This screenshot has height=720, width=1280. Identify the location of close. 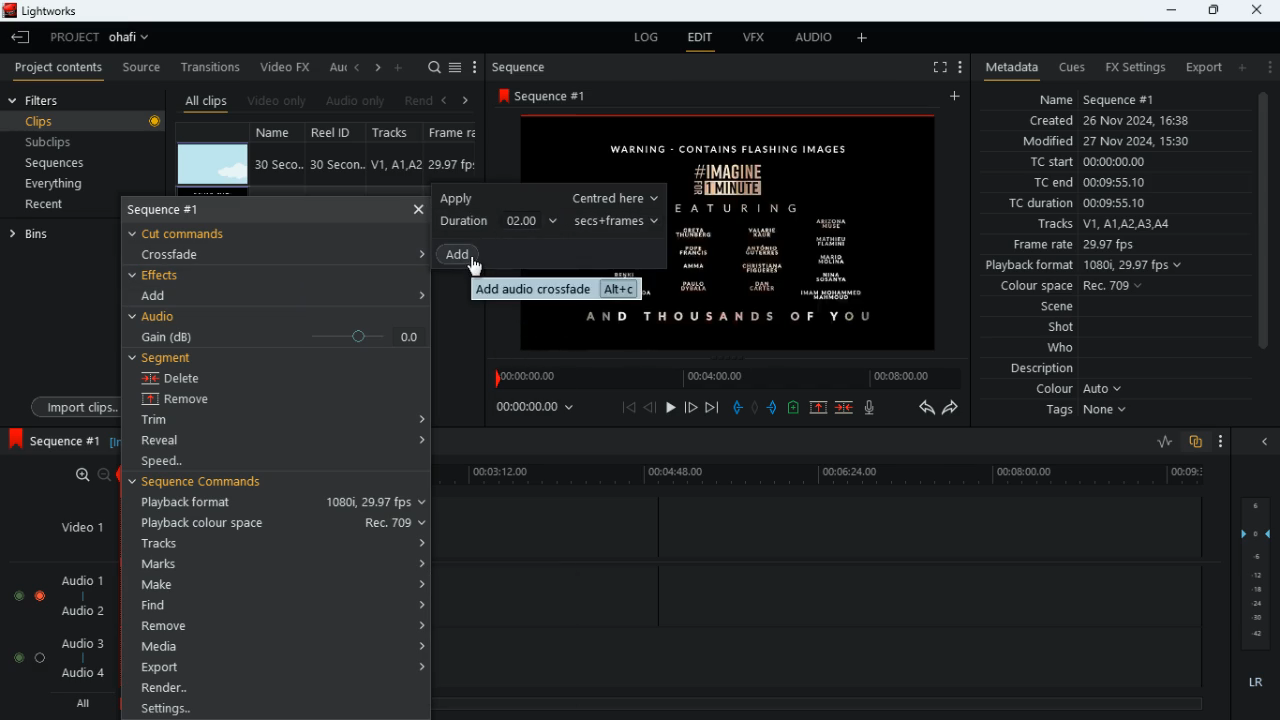
(1269, 443).